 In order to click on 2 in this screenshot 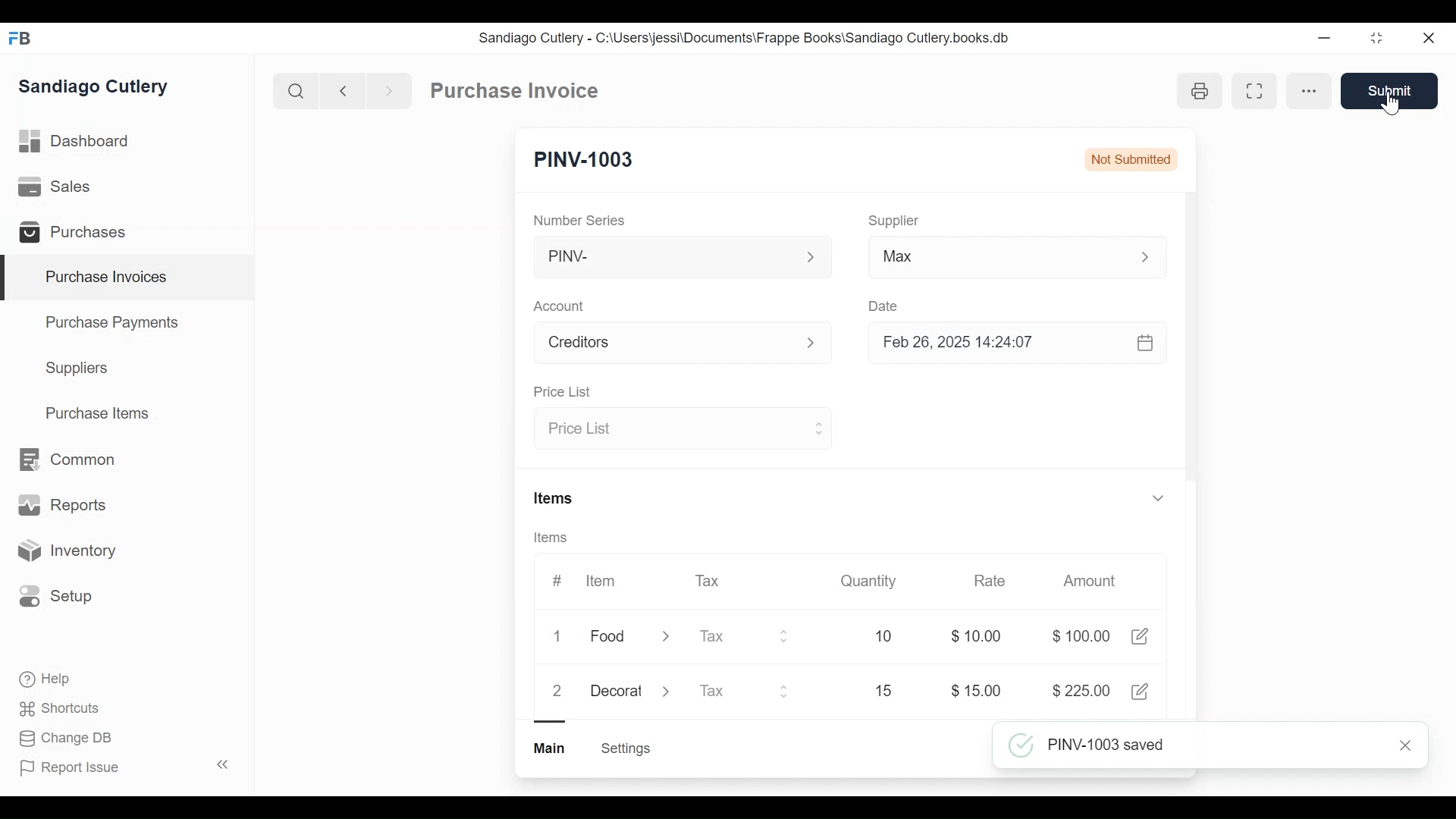, I will do `click(557, 691)`.